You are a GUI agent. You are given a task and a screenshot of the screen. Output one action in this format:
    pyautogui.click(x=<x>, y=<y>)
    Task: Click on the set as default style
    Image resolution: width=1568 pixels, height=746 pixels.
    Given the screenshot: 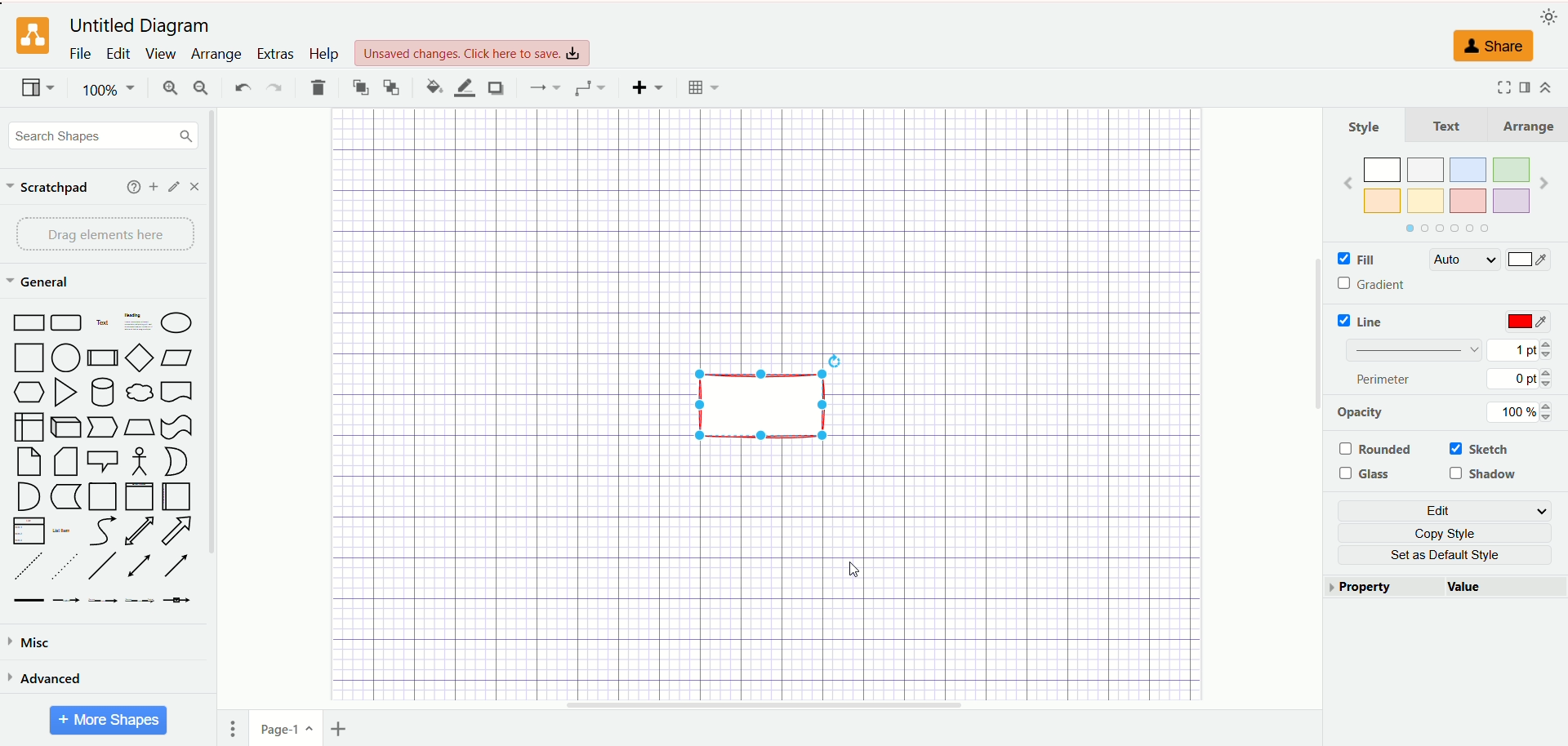 What is the action you would take?
    pyautogui.click(x=1451, y=556)
    